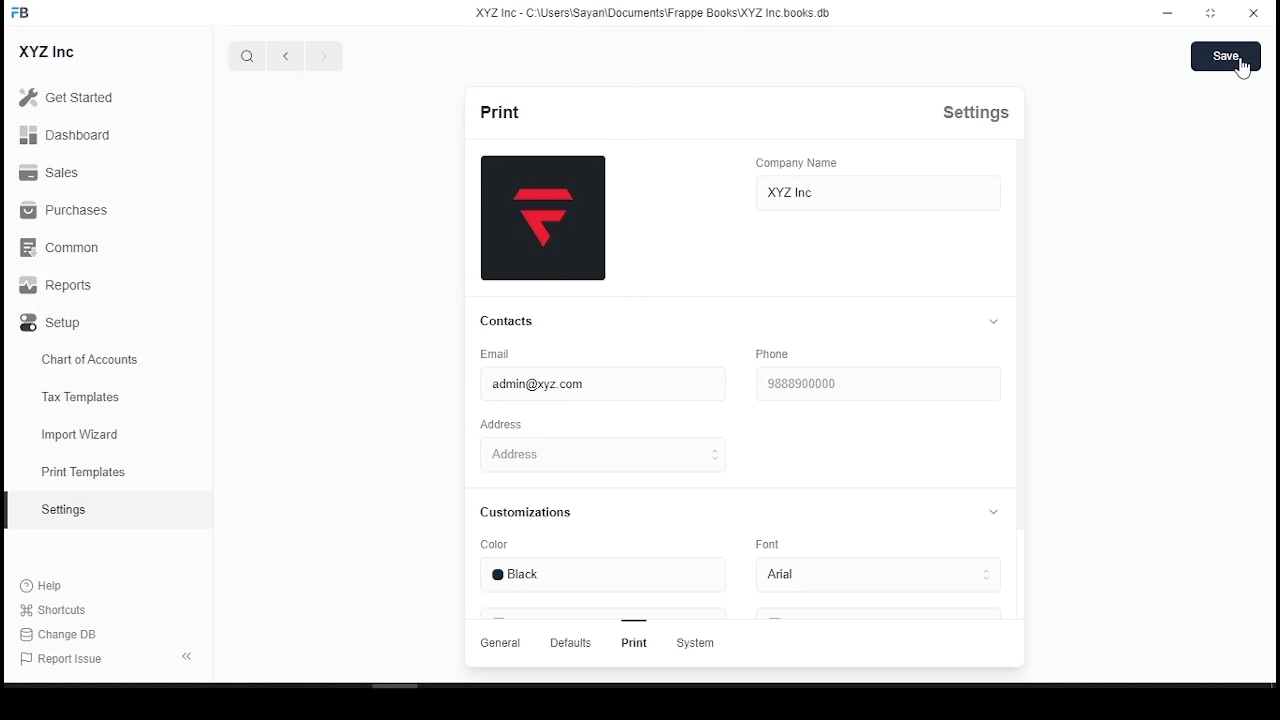 Image resolution: width=1280 pixels, height=720 pixels. Describe the element at coordinates (546, 455) in the screenshot. I see `Address` at that location.